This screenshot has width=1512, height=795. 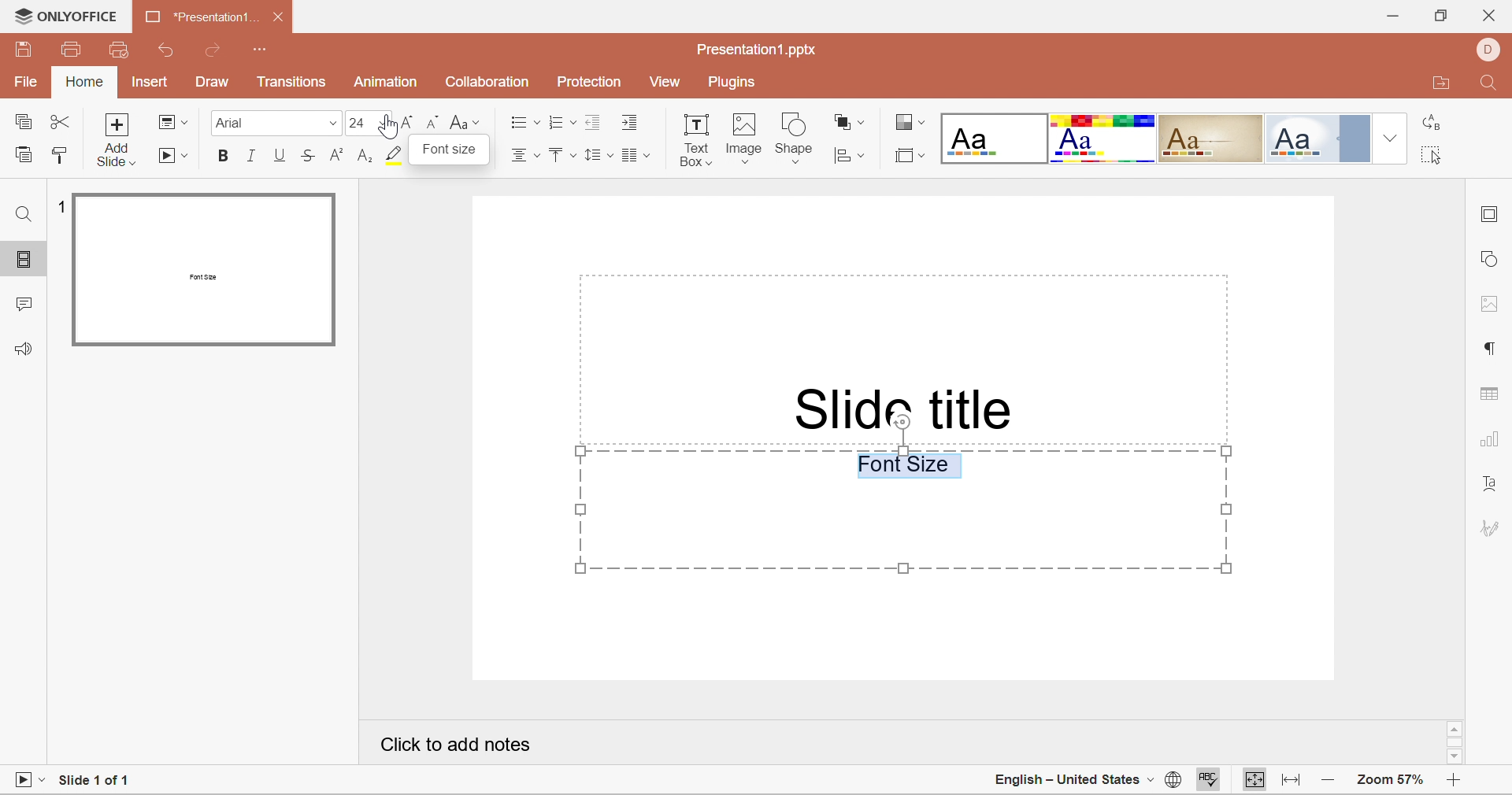 What do you see at coordinates (57, 205) in the screenshot?
I see `1` at bounding box center [57, 205].